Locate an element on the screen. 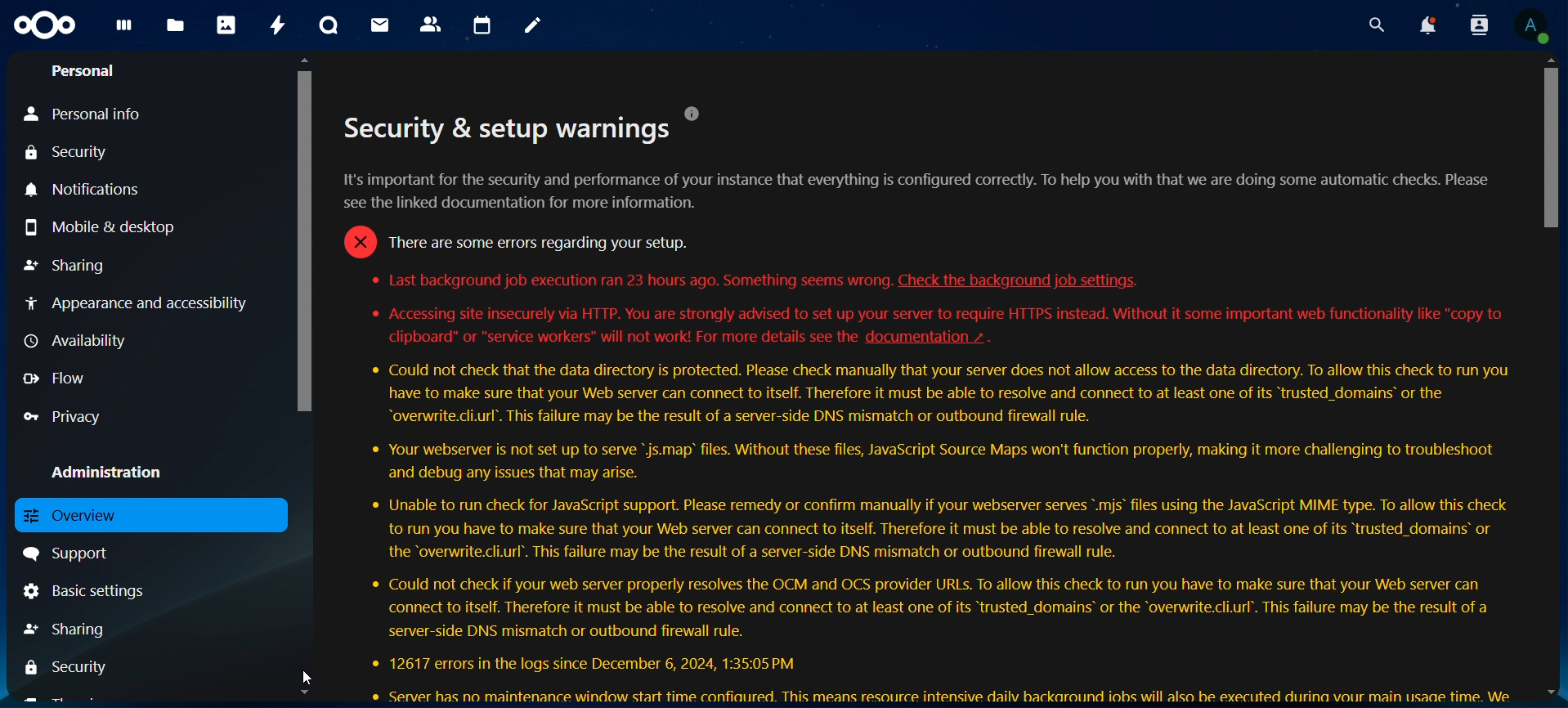 This screenshot has height=708, width=1568. sharing is located at coordinates (65, 630).